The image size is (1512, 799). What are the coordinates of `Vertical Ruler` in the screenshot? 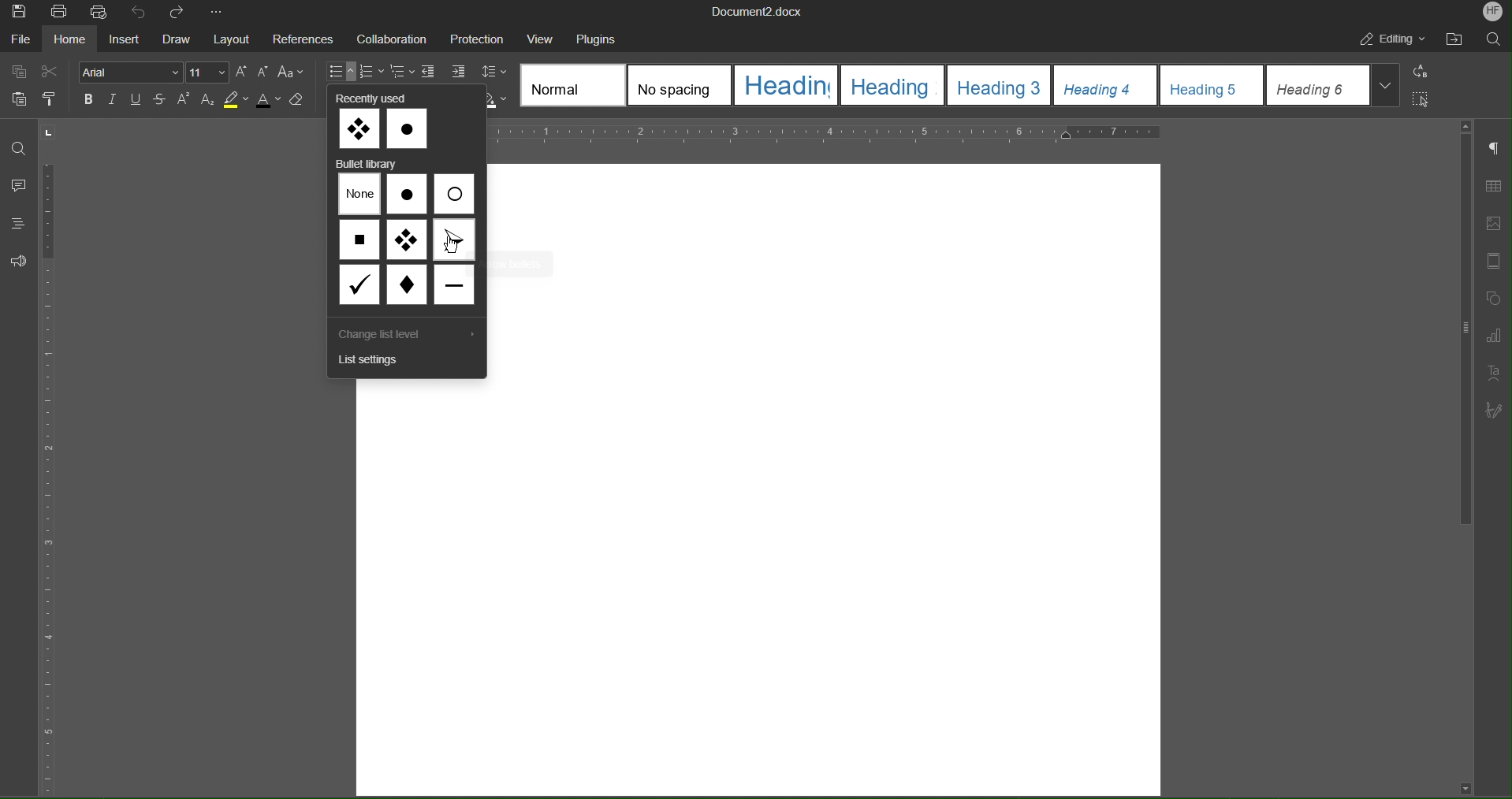 It's located at (57, 465).